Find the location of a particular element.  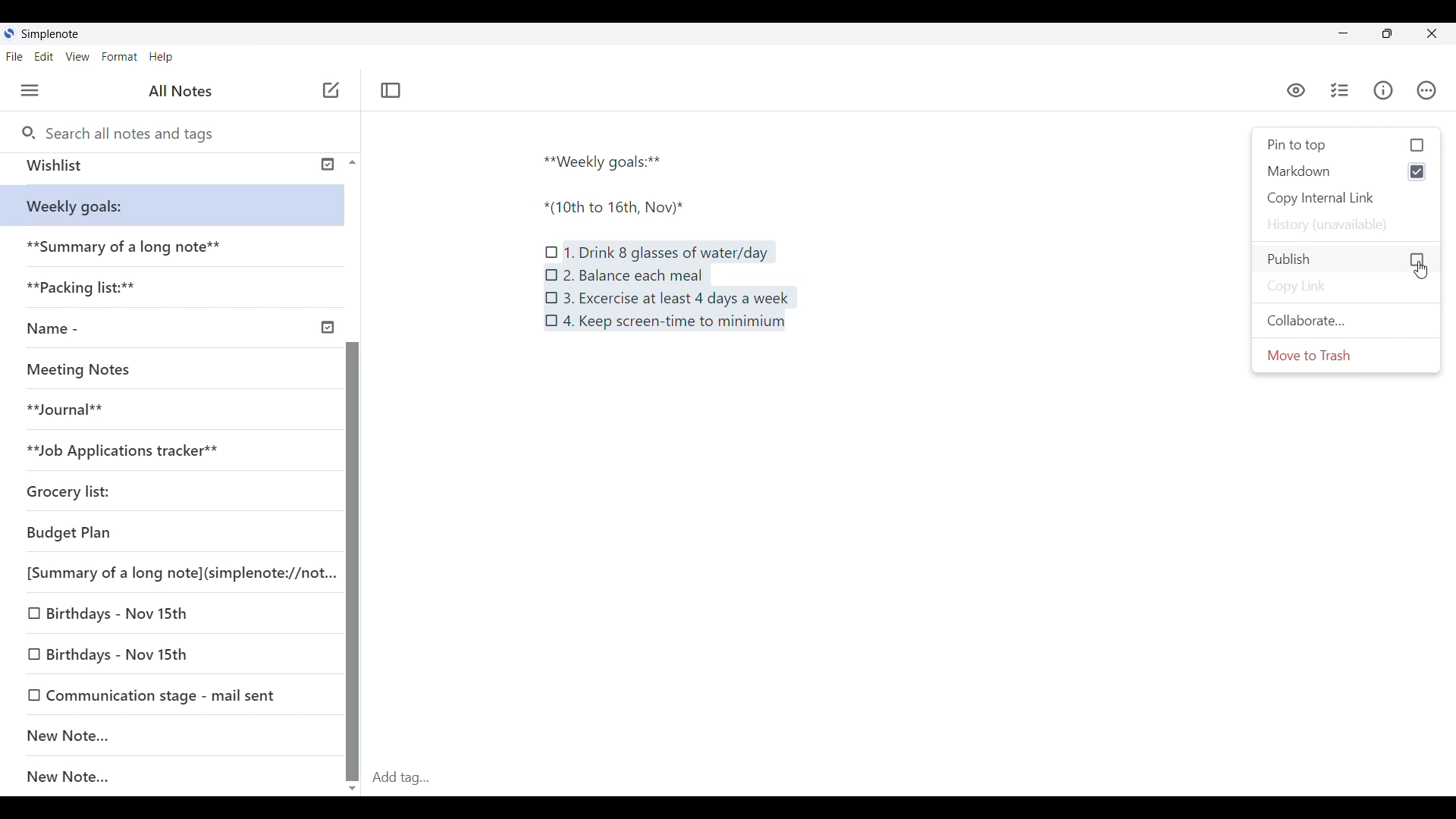

1. Drink 8 glasses of water/day is located at coordinates (668, 252).